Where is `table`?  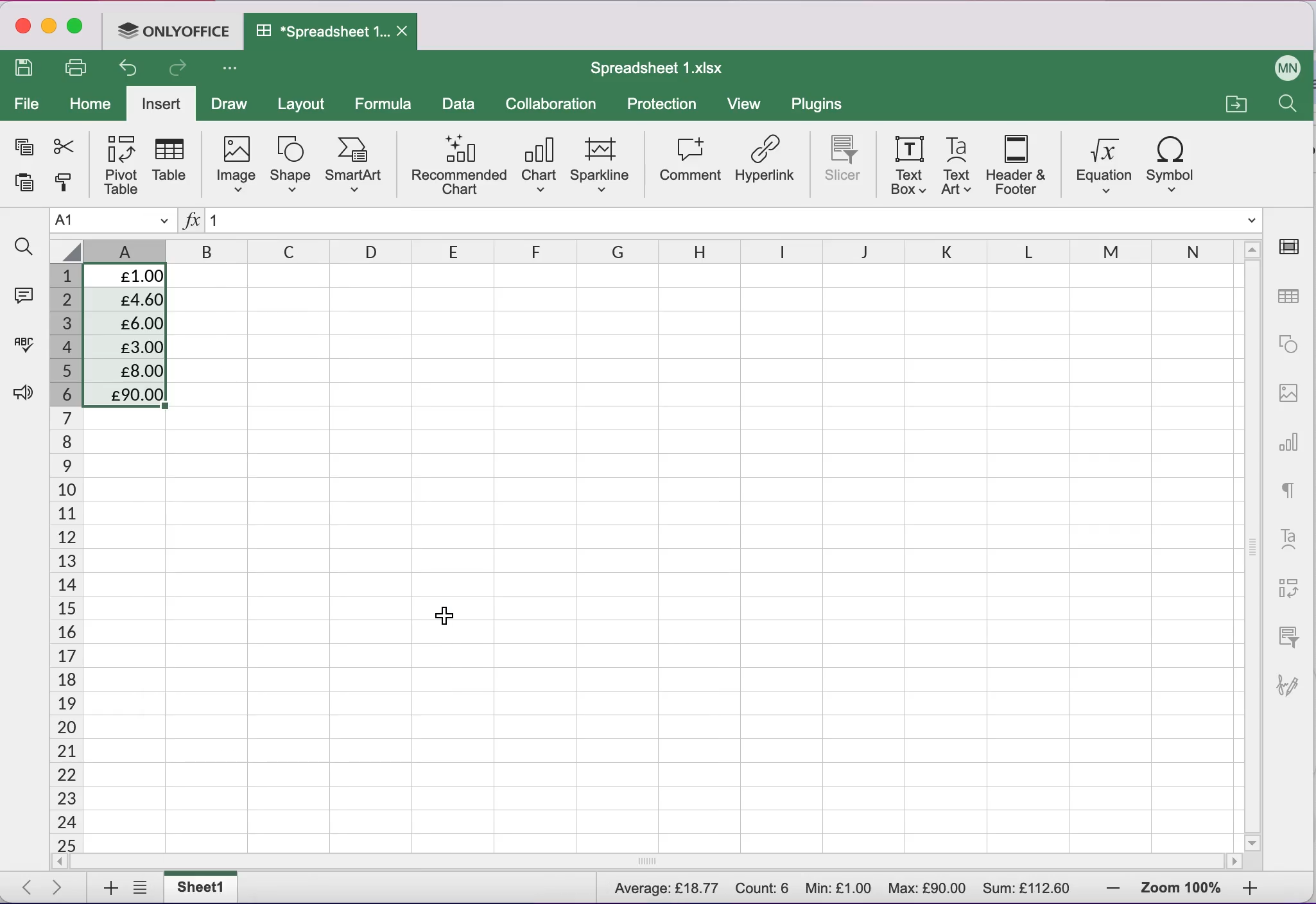 table is located at coordinates (173, 164).